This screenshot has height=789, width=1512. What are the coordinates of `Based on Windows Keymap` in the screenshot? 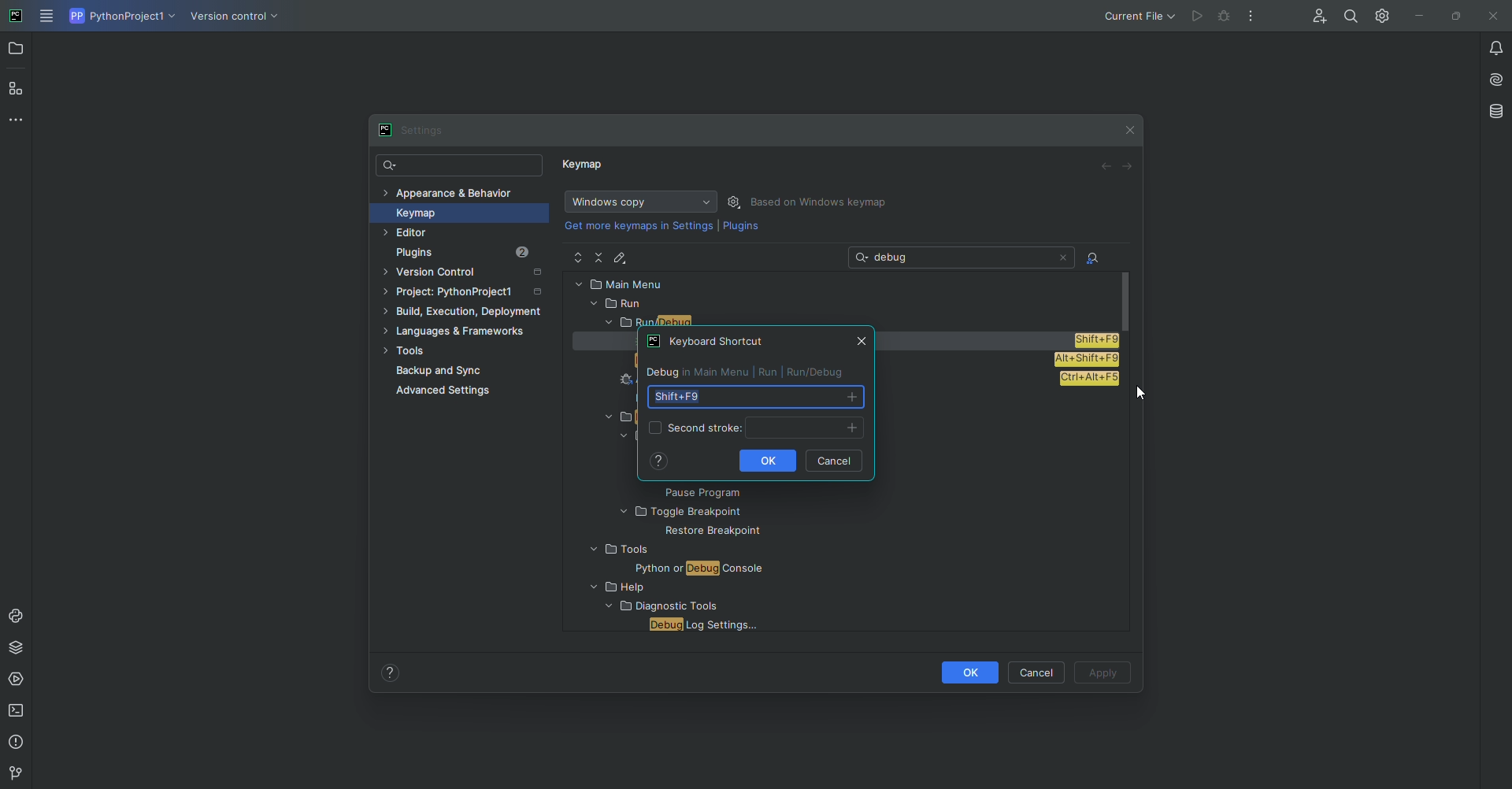 It's located at (822, 202).